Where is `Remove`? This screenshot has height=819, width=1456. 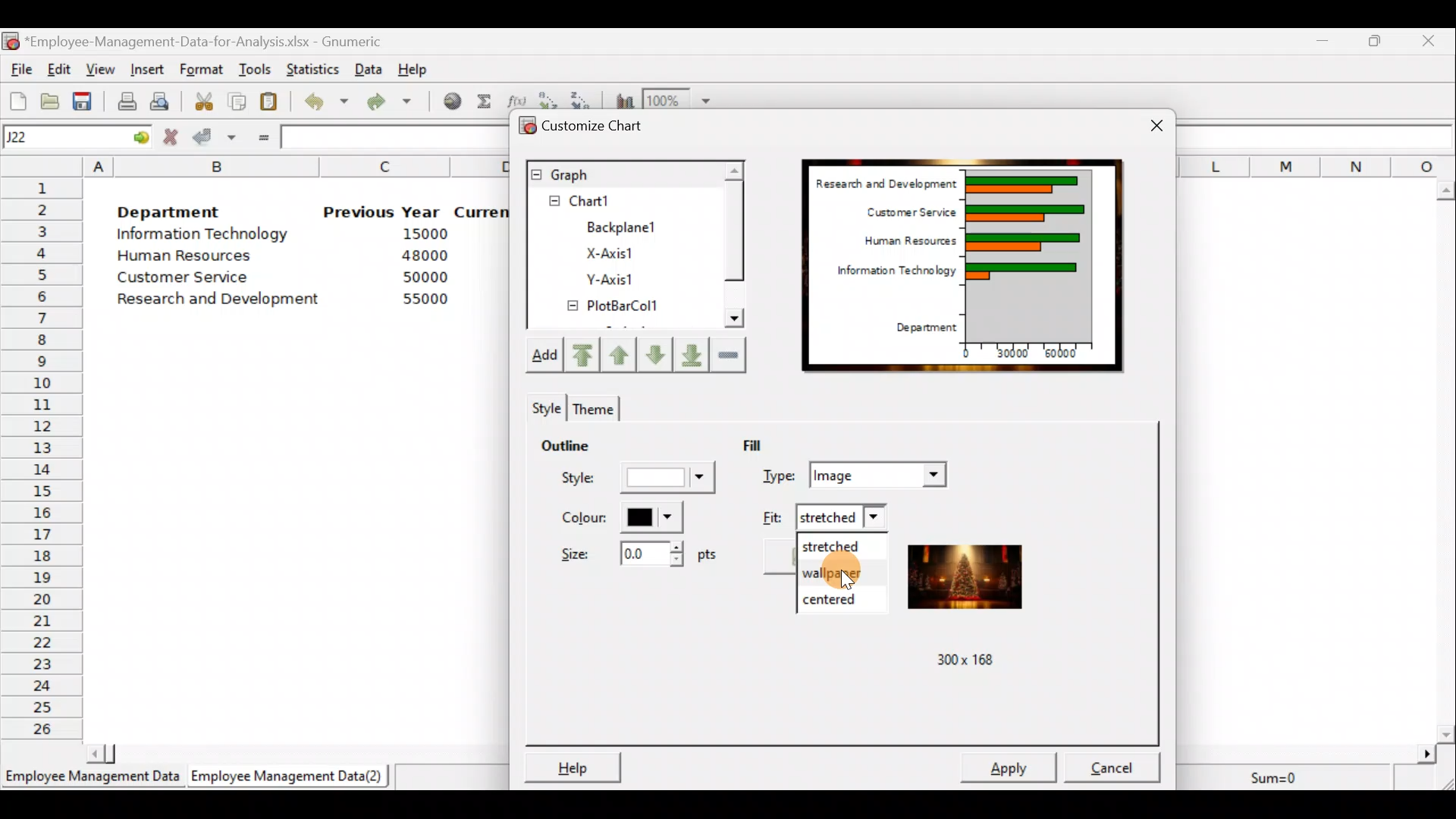
Remove is located at coordinates (730, 356).